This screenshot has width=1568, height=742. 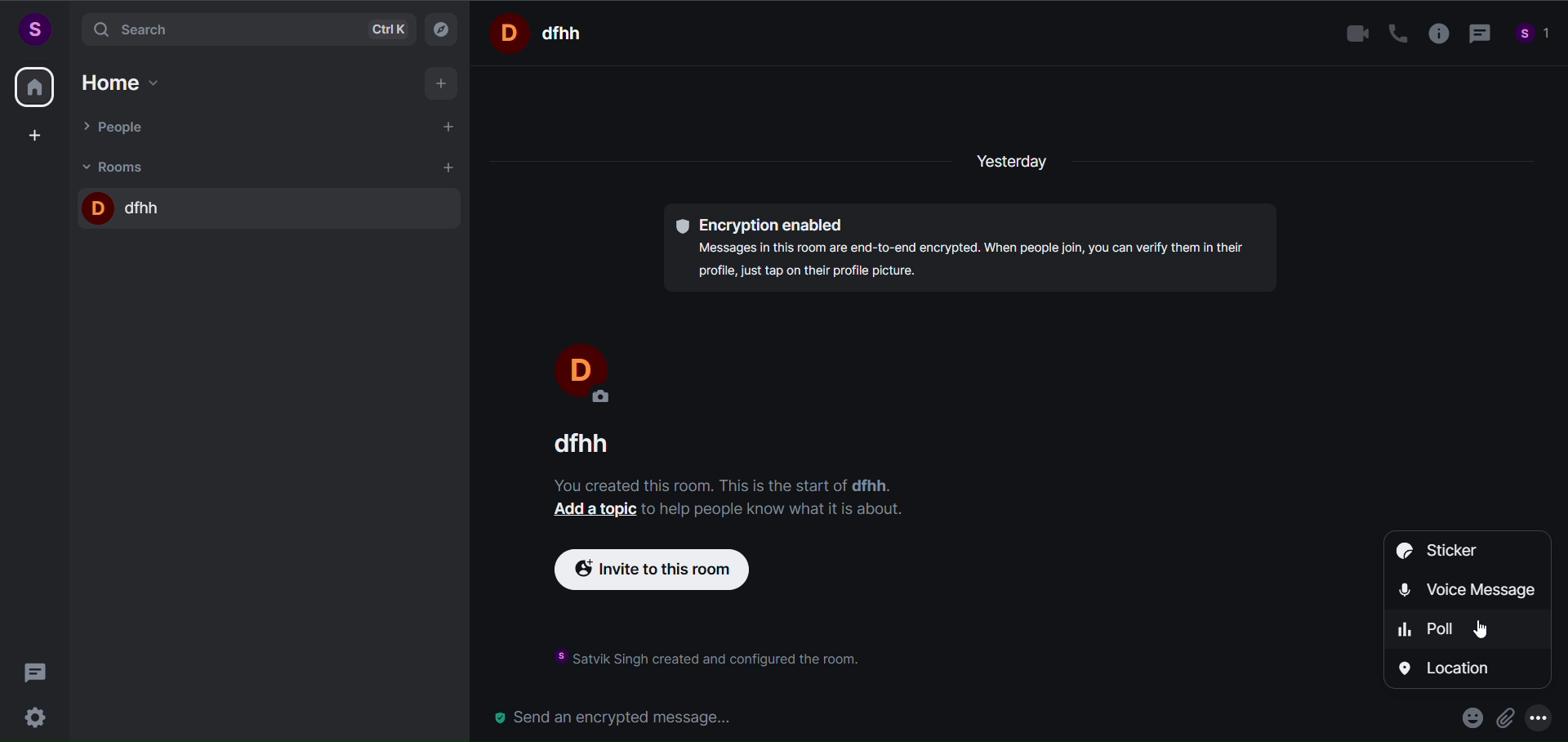 What do you see at coordinates (450, 128) in the screenshot?
I see `start chat` at bounding box center [450, 128].